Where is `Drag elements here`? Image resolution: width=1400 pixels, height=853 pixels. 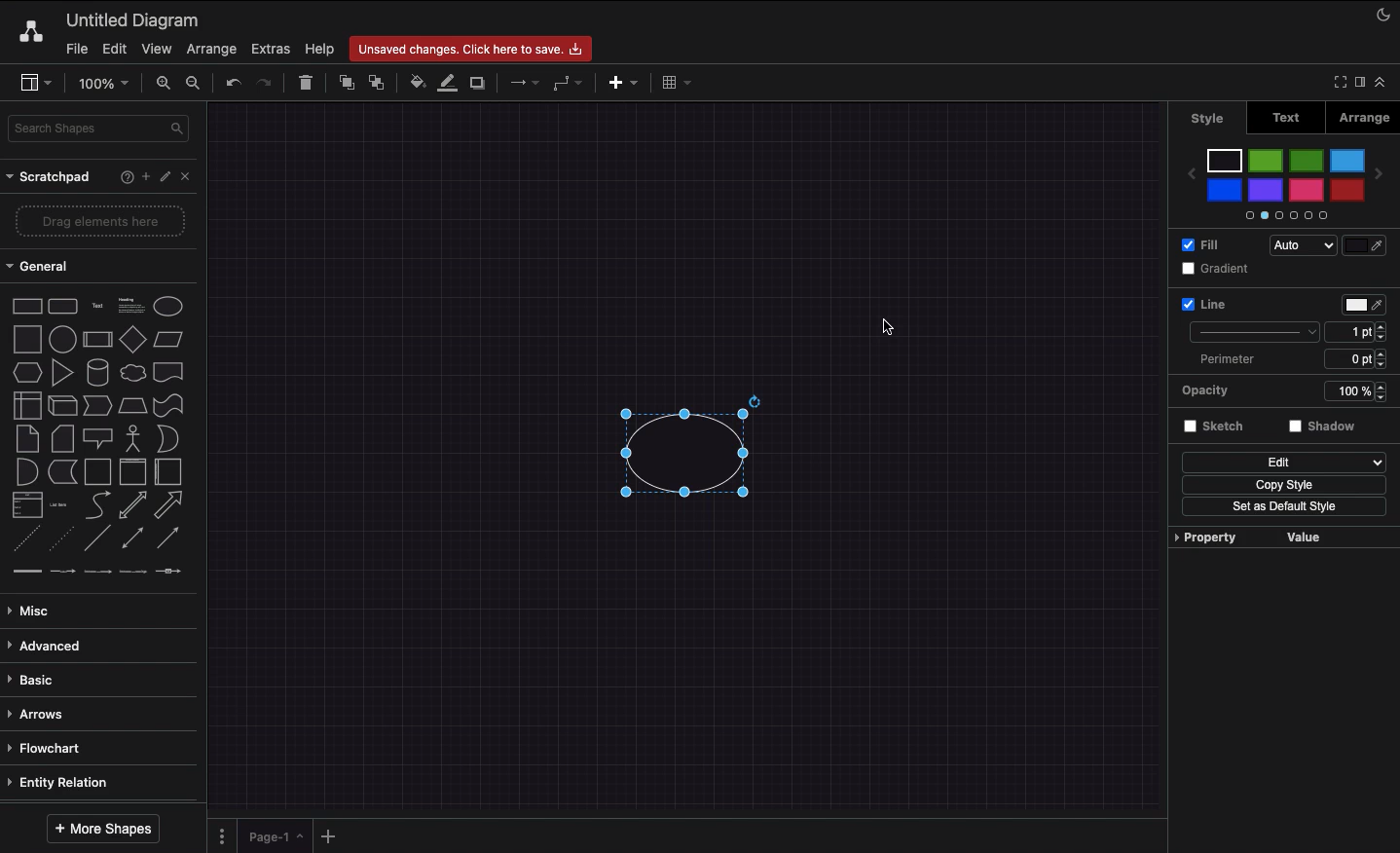
Drag elements here is located at coordinates (103, 221).